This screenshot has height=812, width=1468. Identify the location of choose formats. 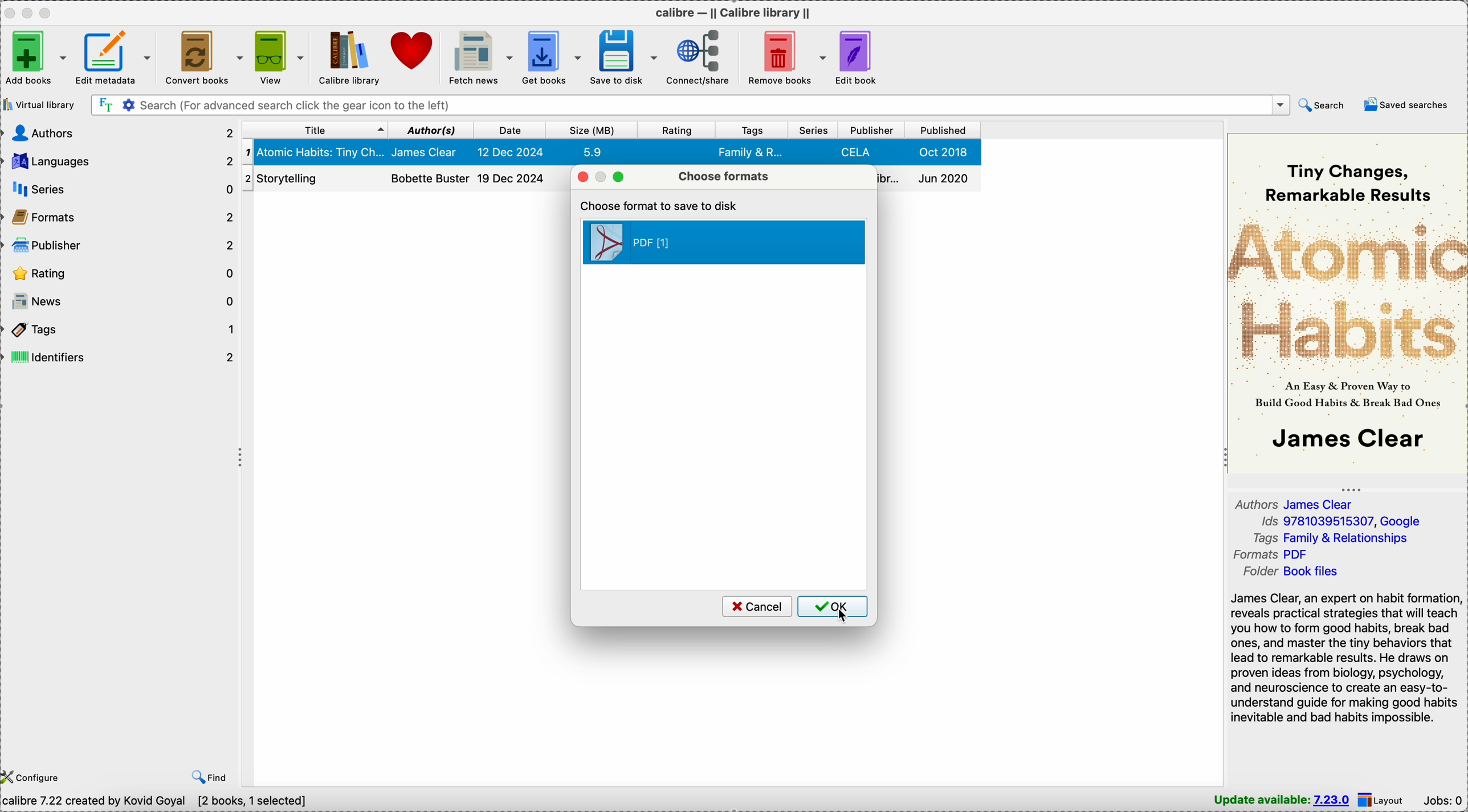
(723, 176).